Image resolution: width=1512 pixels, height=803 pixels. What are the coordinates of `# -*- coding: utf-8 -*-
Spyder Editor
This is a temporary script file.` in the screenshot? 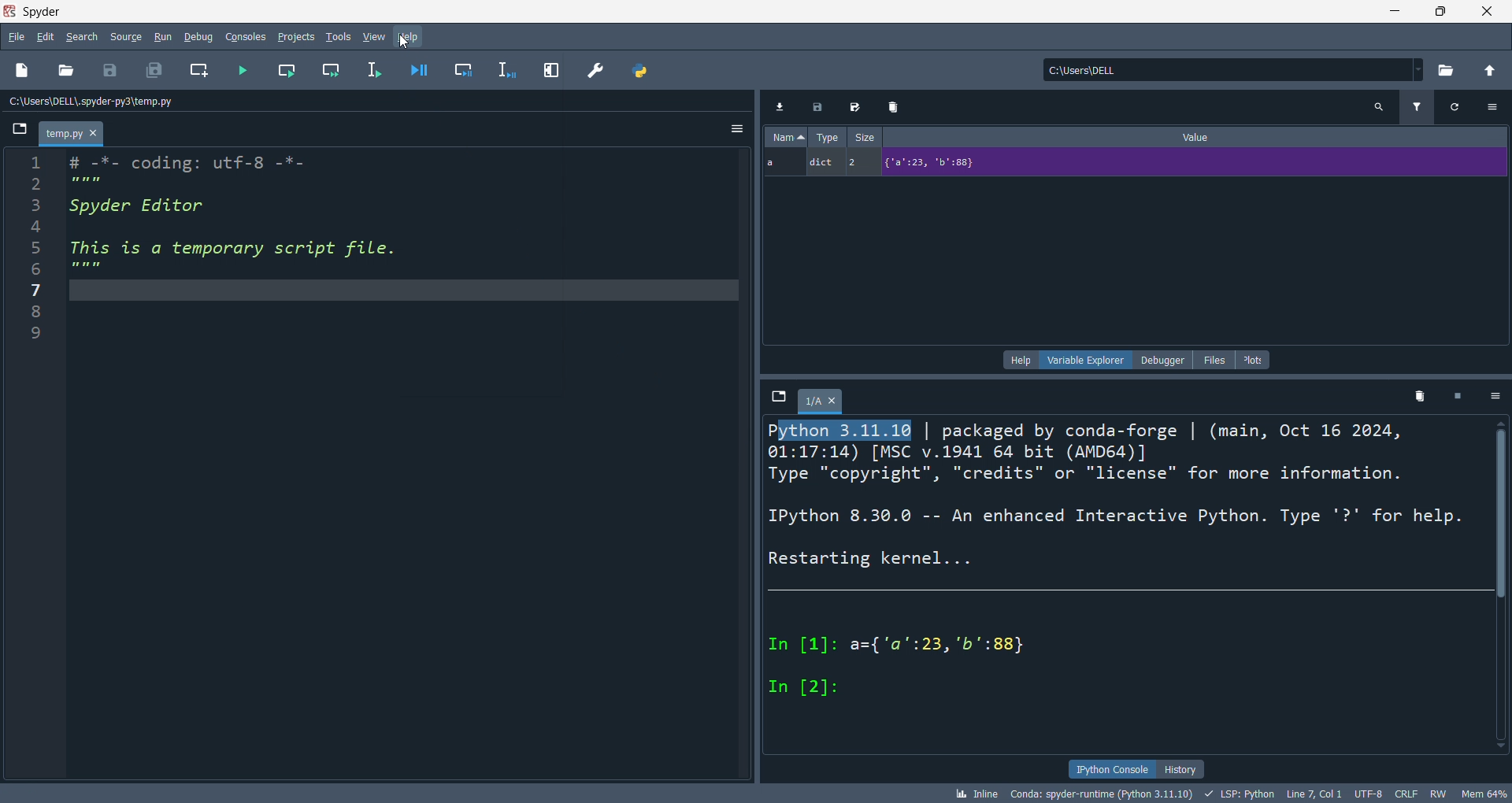 It's located at (247, 216).